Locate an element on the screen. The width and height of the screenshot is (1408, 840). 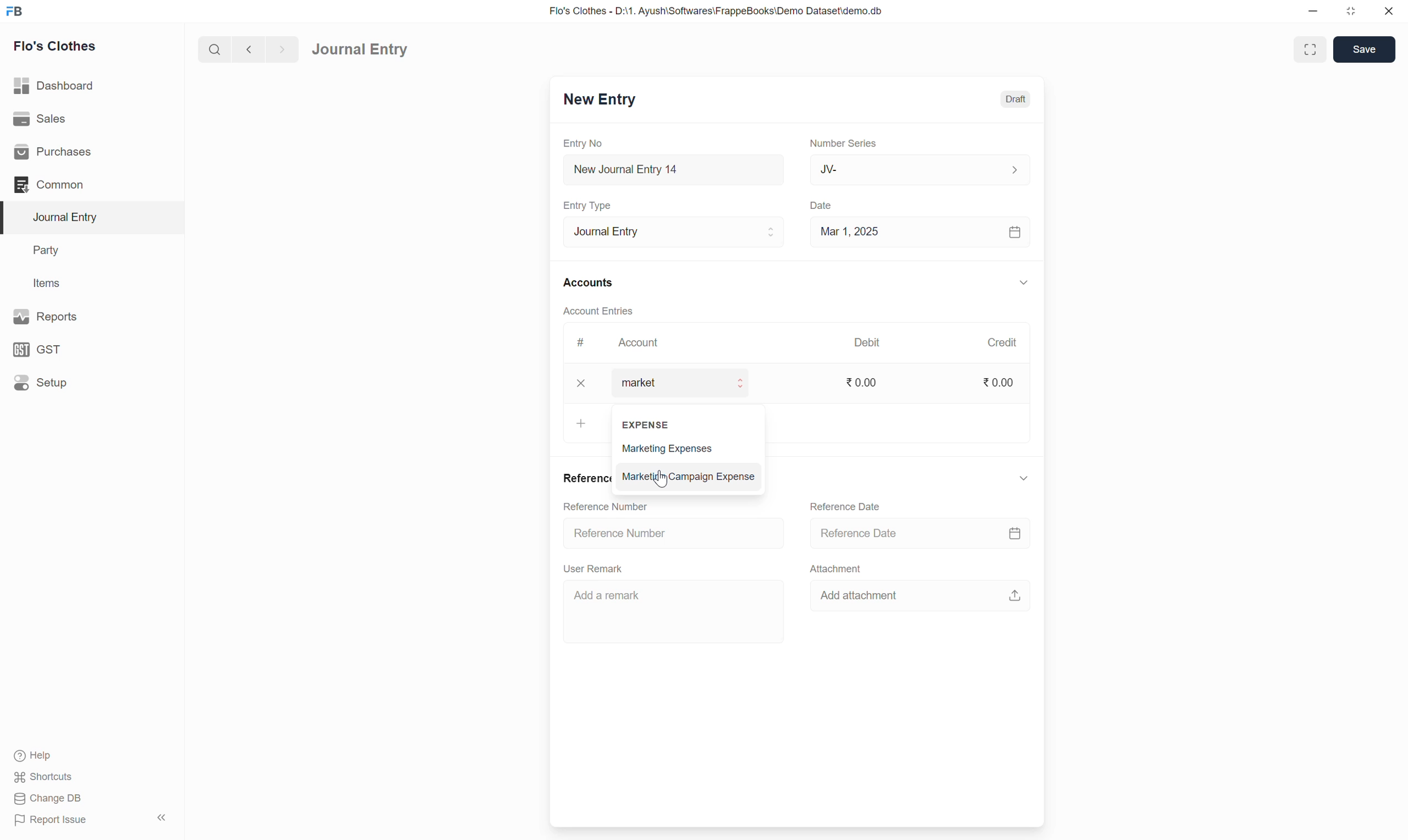
FB is located at coordinates (15, 11).